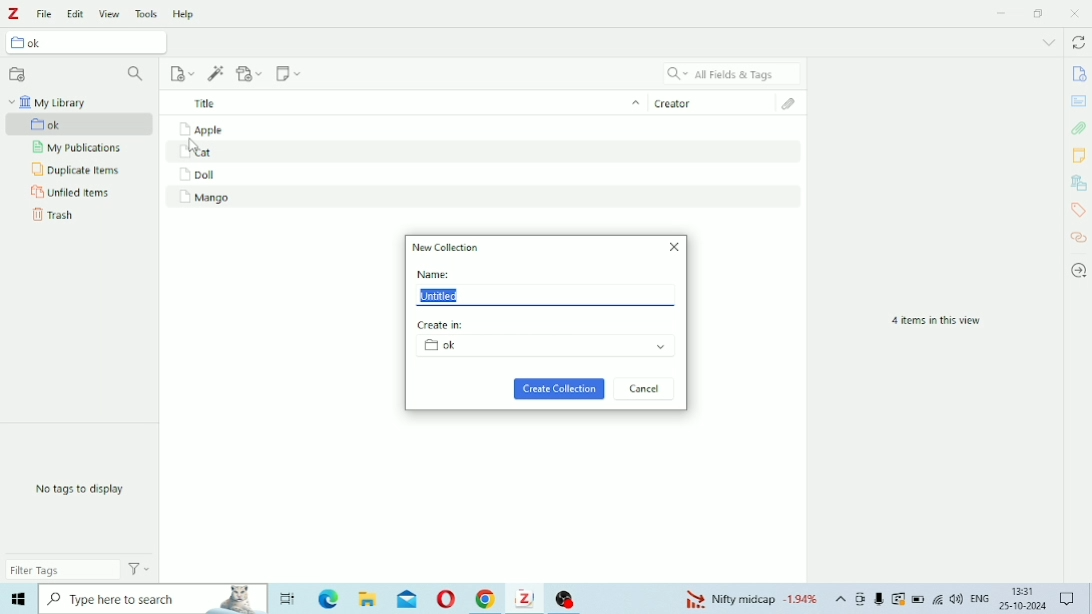 The image size is (1092, 614). I want to click on Help, so click(184, 13).